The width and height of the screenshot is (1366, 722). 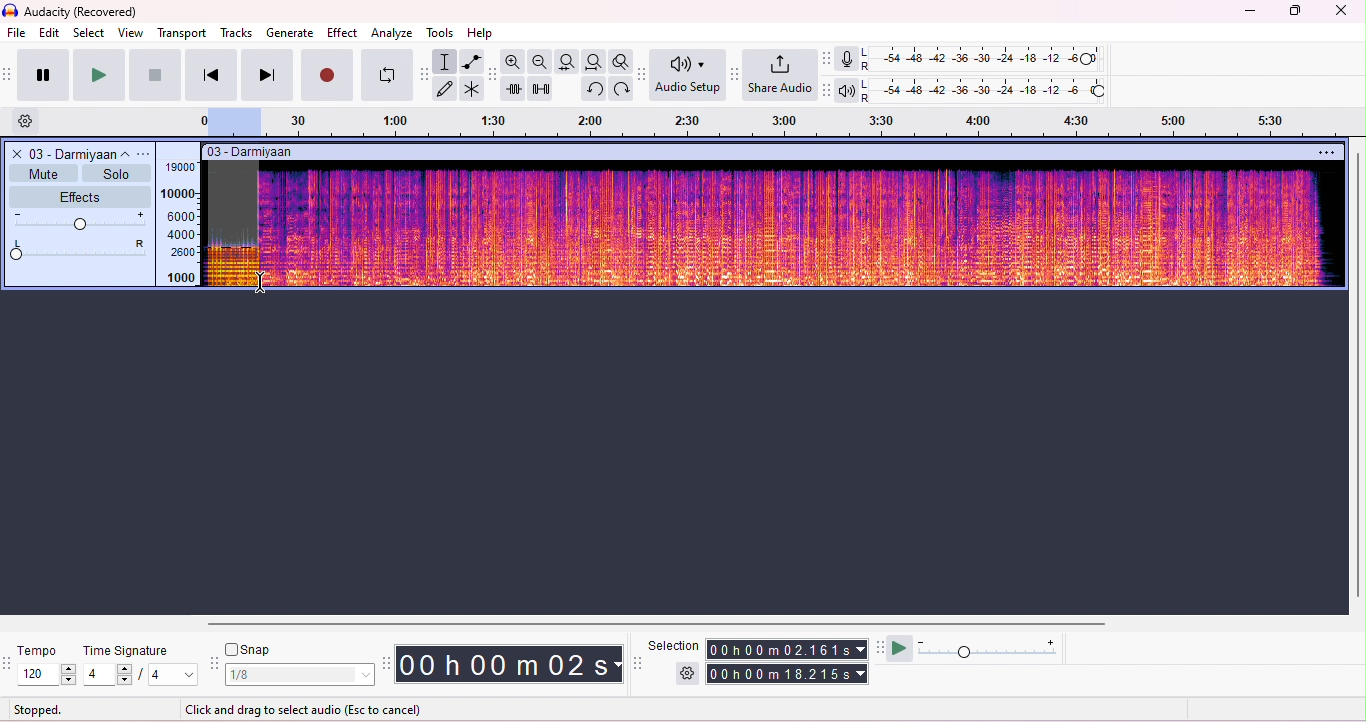 What do you see at coordinates (254, 648) in the screenshot?
I see `snap` at bounding box center [254, 648].